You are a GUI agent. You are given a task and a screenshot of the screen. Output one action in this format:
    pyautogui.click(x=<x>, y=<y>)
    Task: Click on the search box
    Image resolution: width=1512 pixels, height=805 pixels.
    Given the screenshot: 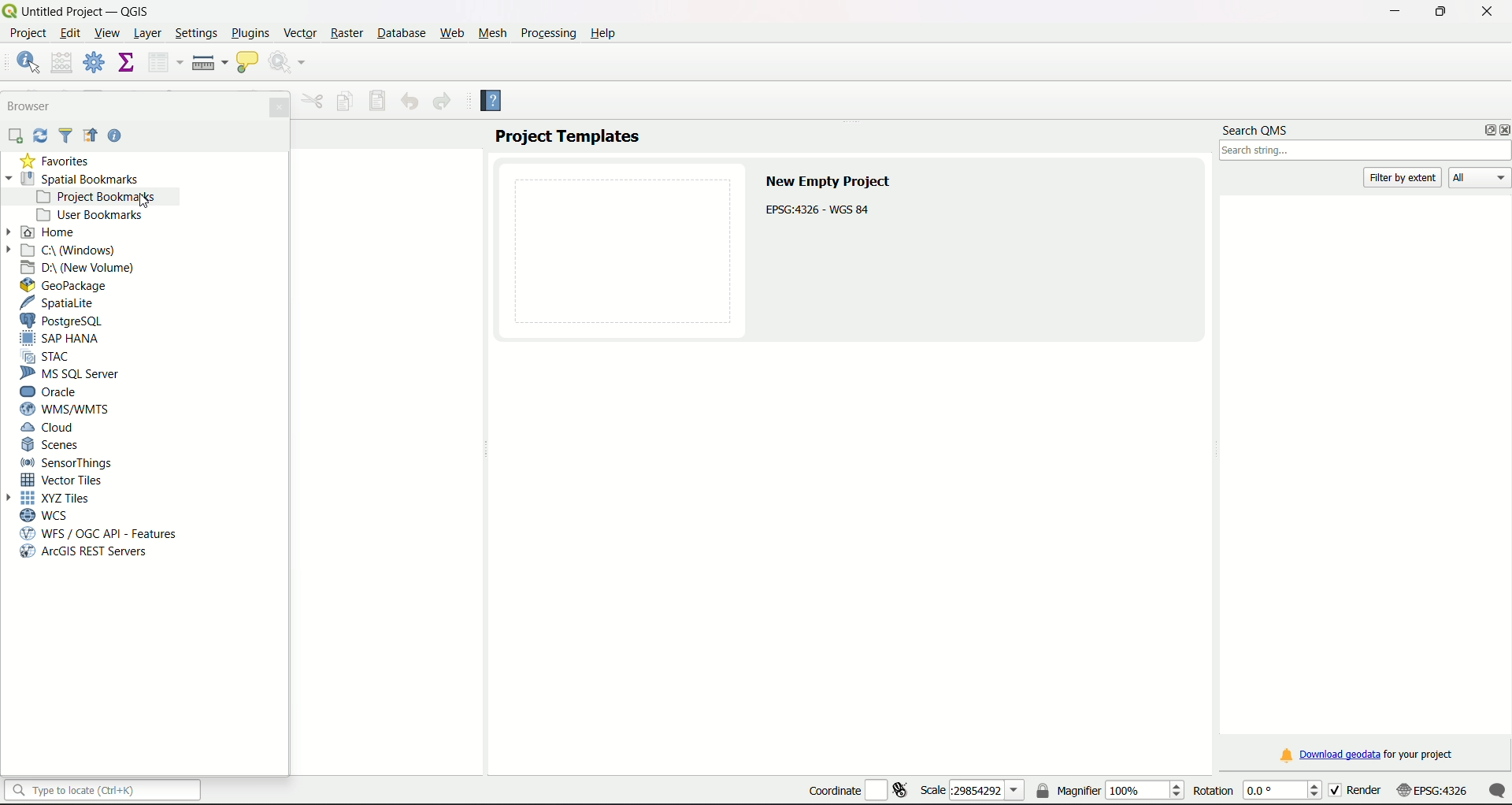 What is the action you would take?
    pyautogui.click(x=1366, y=151)
    